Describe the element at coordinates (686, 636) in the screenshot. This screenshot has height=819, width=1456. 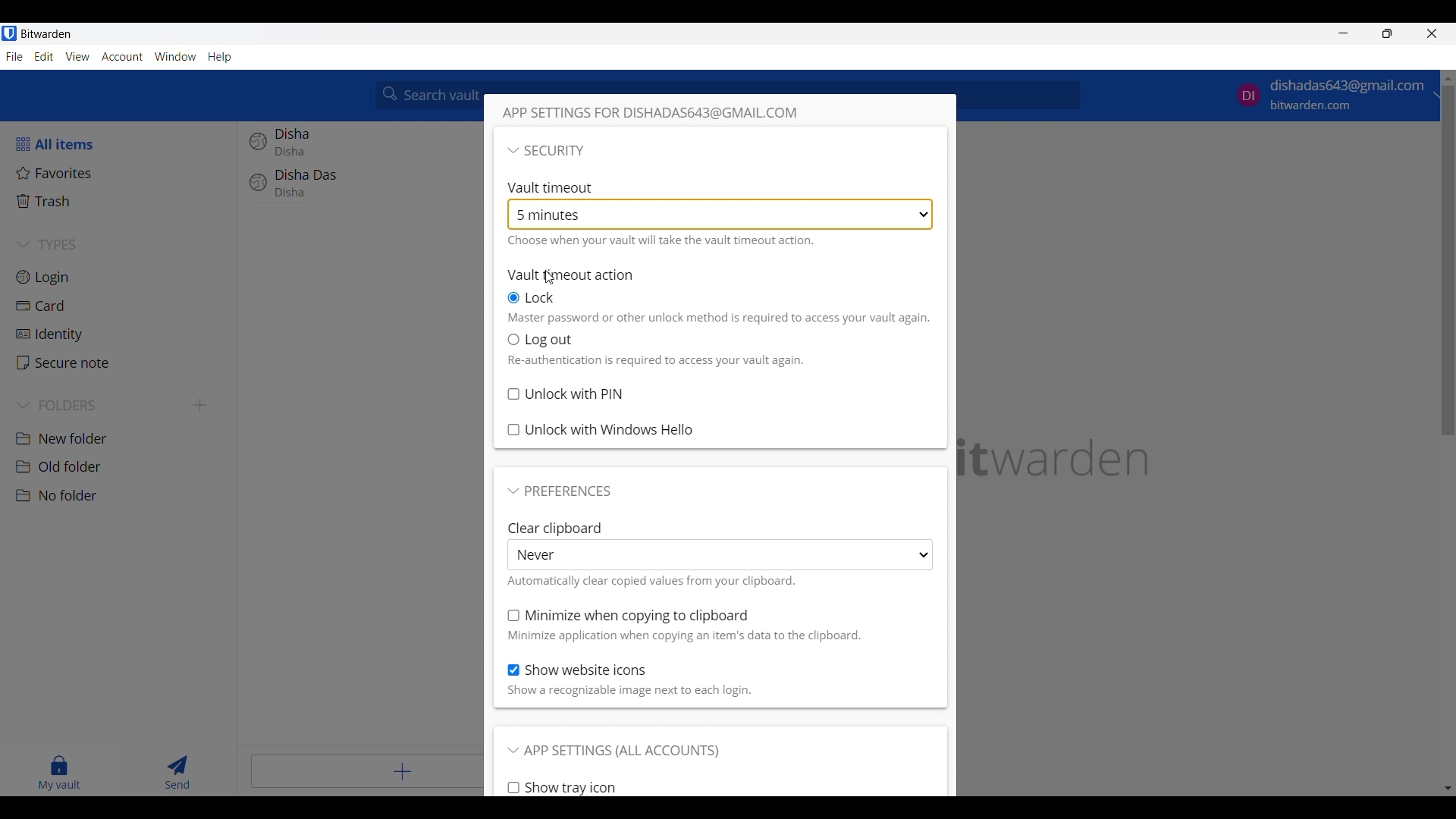
I see `Description of above toggle` at that location.